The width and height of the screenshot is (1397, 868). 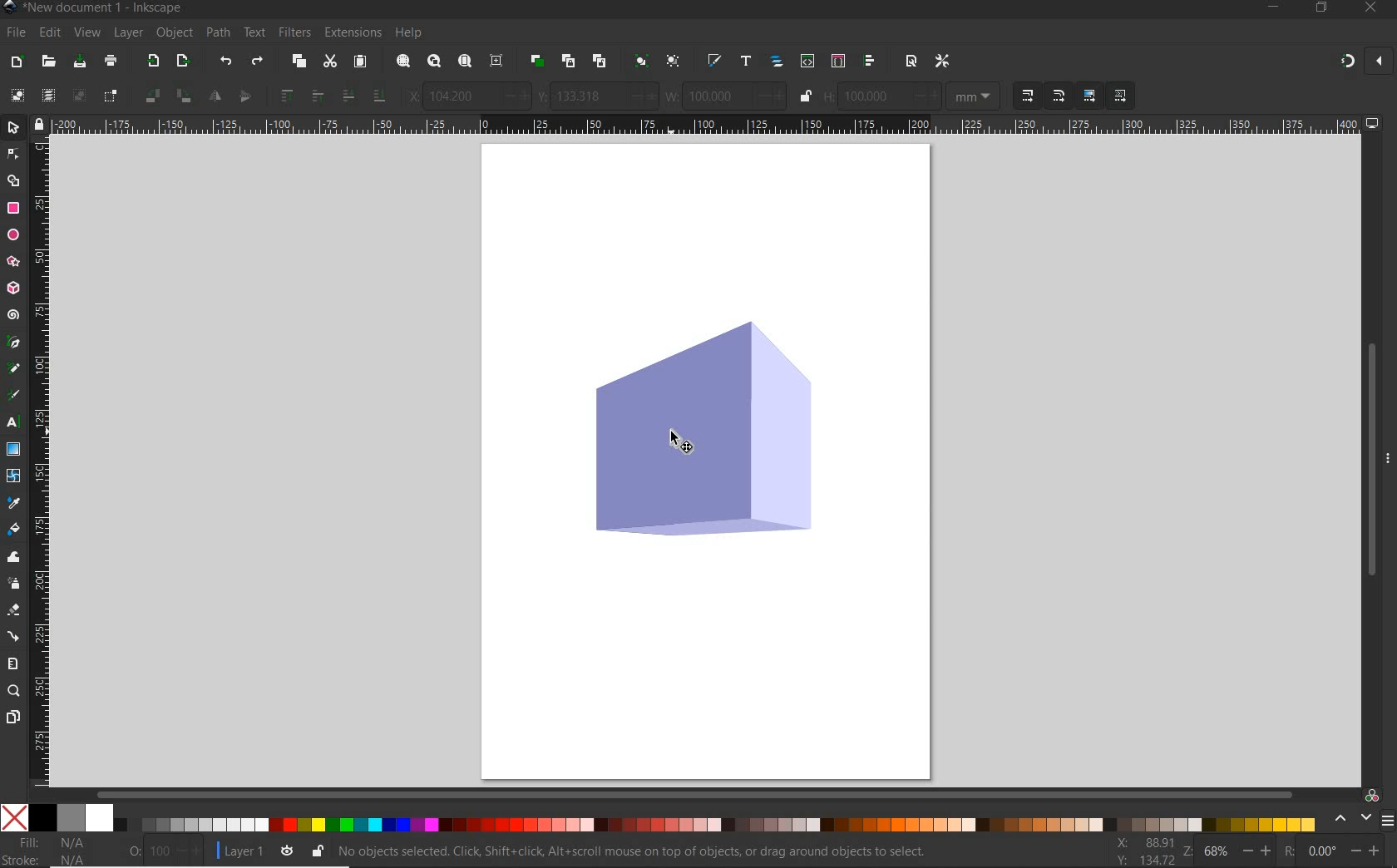 I want to click on OPEN , so click(x=47, y=62).